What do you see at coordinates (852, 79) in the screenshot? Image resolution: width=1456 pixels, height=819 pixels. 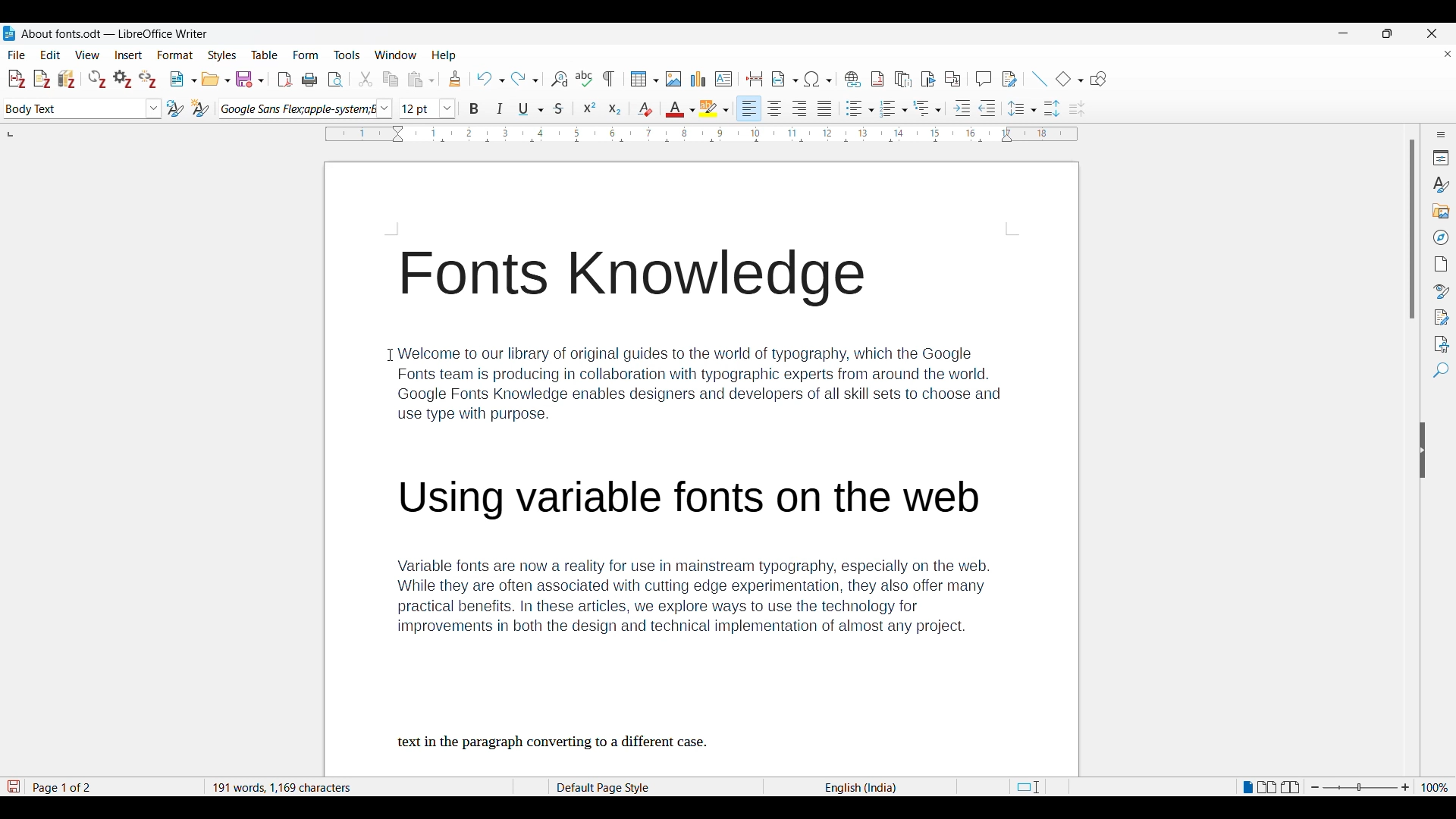 I see `Insert hyperlink` at bounding box center [852, 79].